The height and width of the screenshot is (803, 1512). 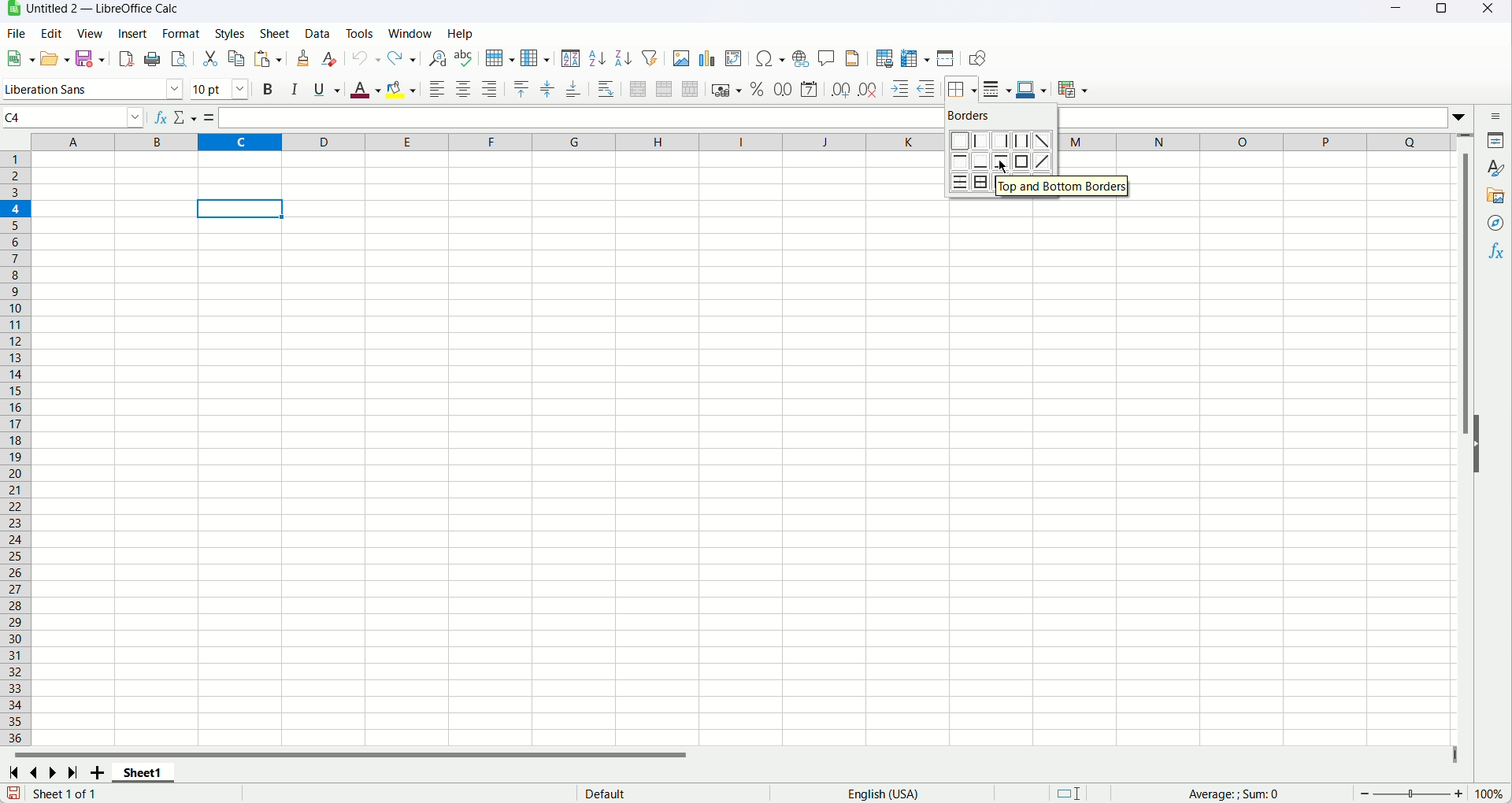 I want to click on Data, so click(x=318, y=35).